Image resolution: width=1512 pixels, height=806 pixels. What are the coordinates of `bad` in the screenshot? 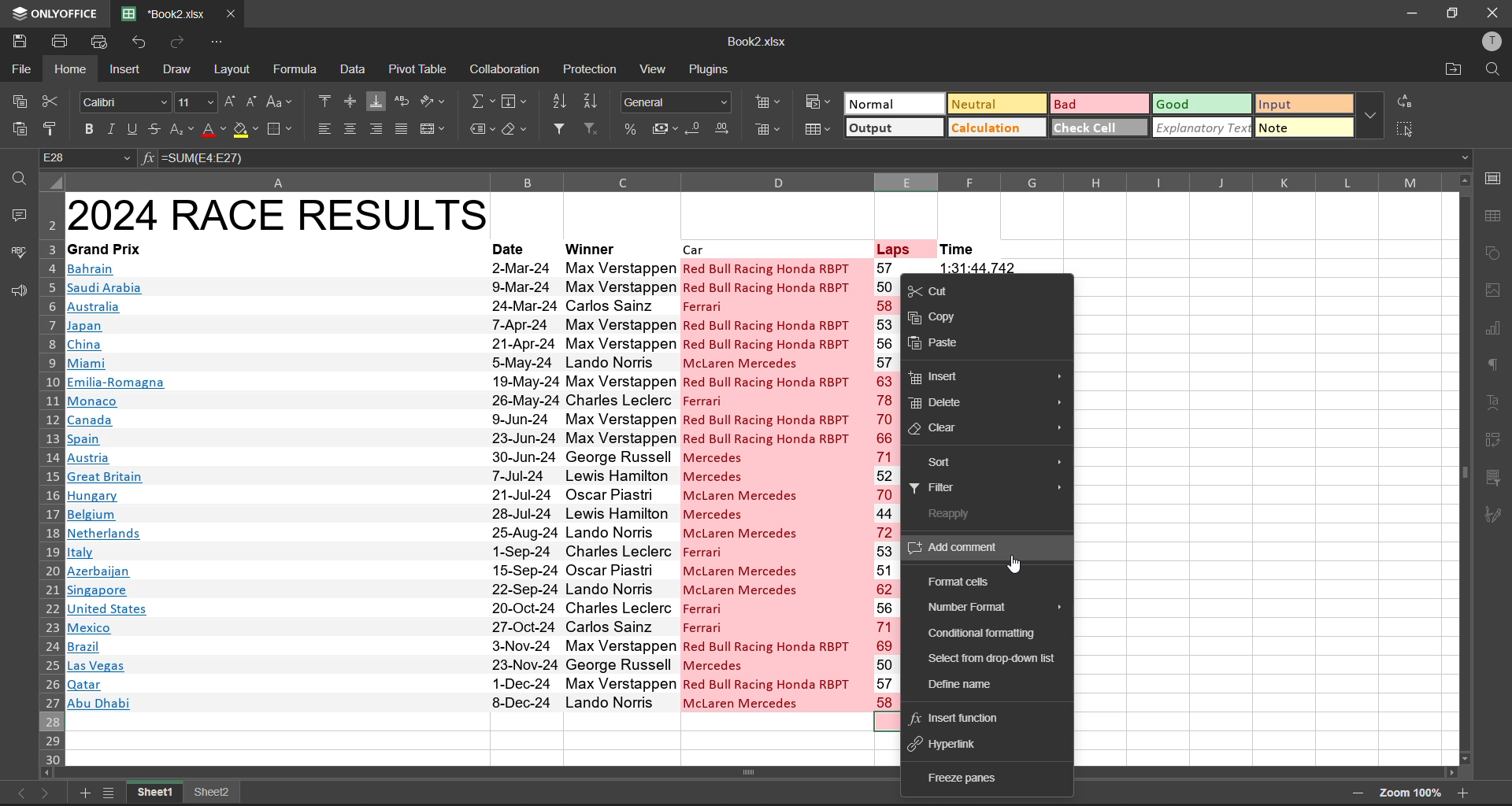 It's located at (1098, 104).